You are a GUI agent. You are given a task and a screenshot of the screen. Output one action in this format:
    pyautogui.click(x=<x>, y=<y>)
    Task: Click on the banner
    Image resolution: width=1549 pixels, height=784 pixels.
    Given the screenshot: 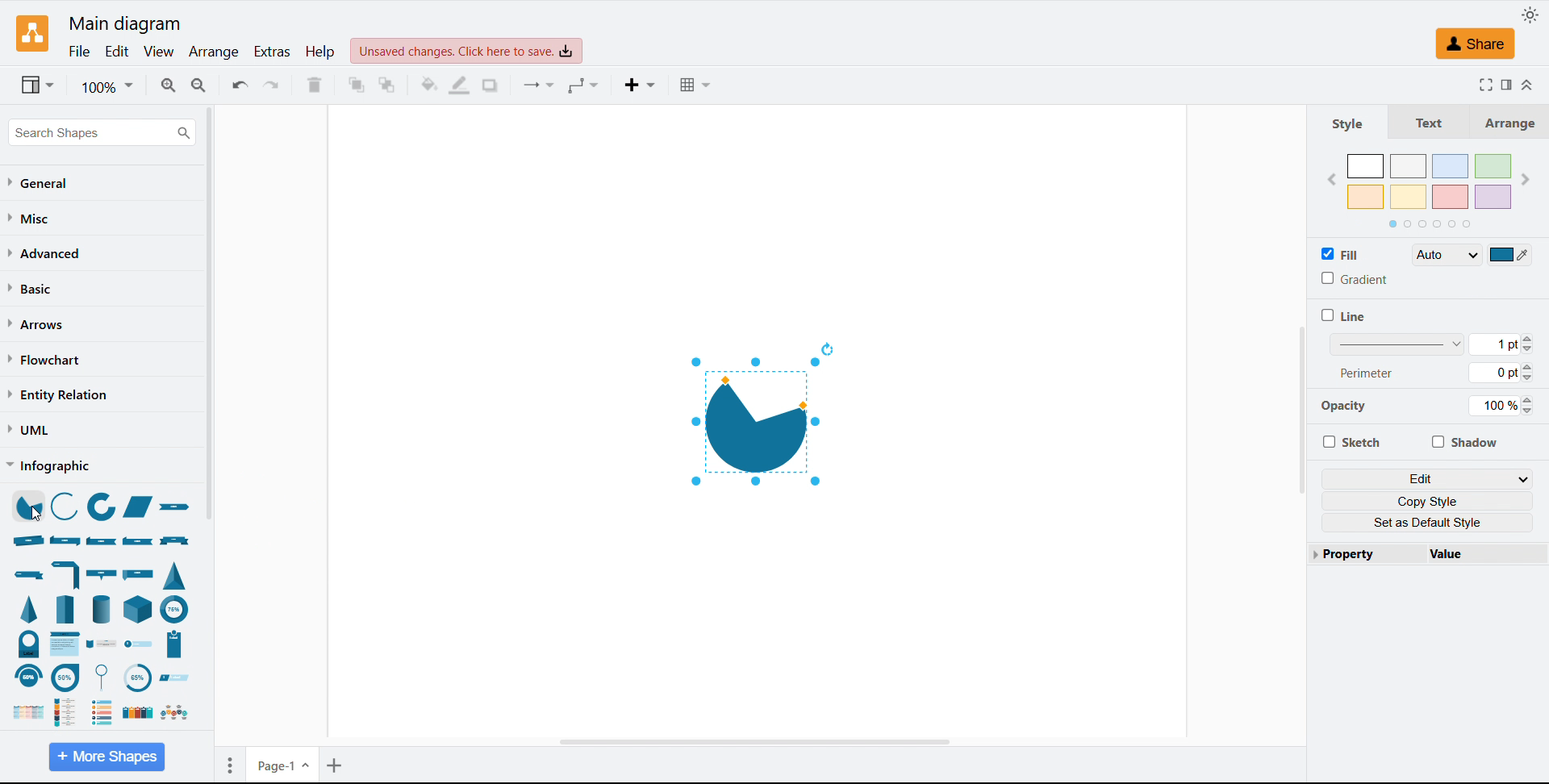 What is the action you would take?
    pyautogui.click(x=178, y=542)
    